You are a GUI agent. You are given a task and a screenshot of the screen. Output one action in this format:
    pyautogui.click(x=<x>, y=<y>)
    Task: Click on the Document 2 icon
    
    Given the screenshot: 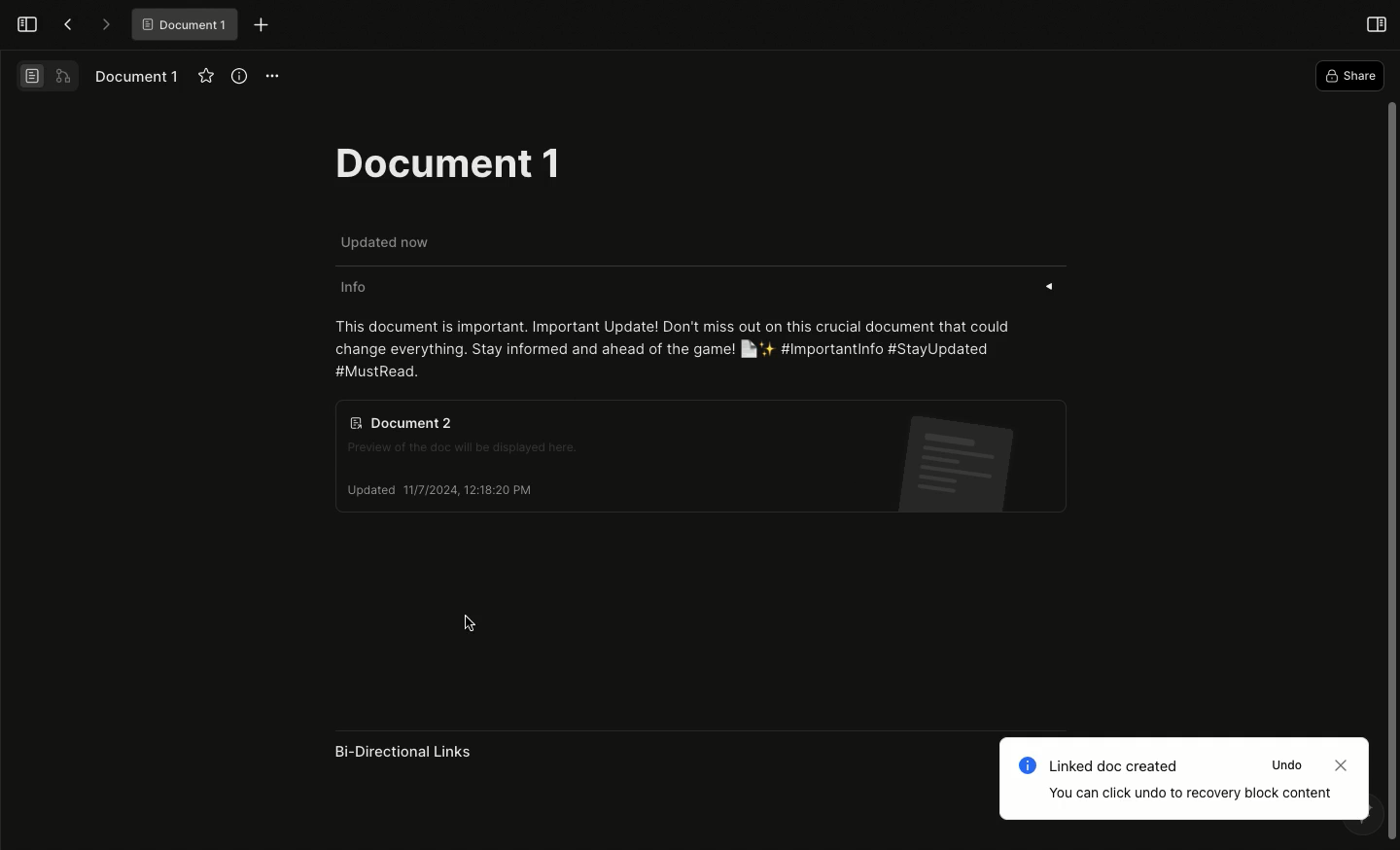 What is the action you would take?
    pyautogui.click(x=967, y=458)
    